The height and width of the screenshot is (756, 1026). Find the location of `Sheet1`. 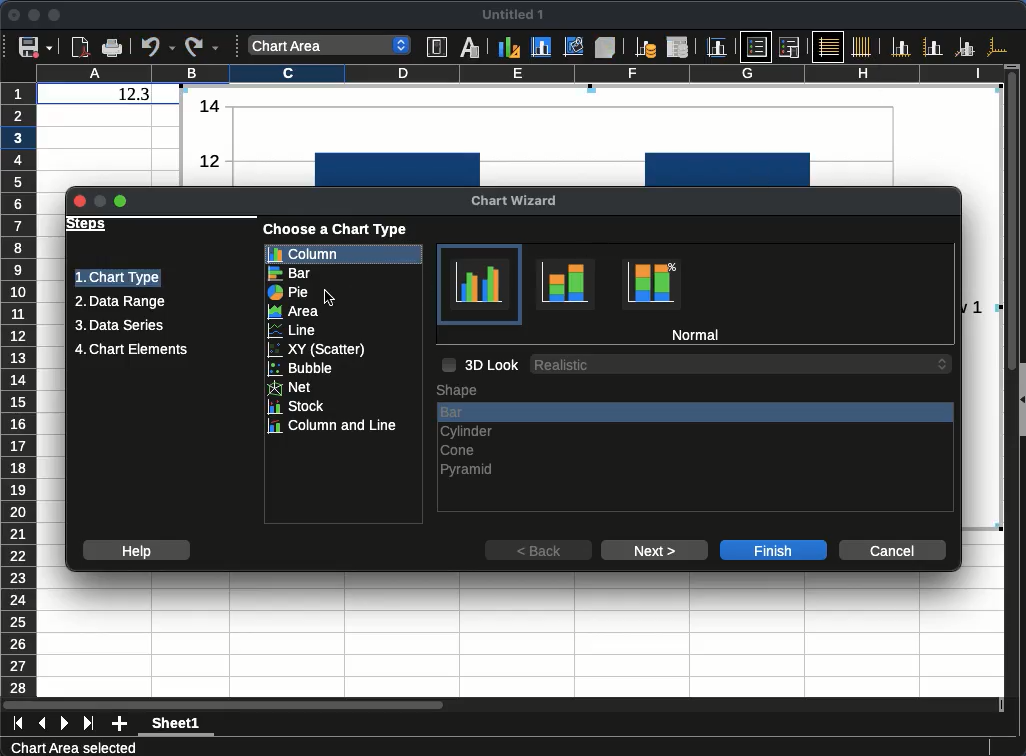

Sheet1 is located at coordinates (176, 725).